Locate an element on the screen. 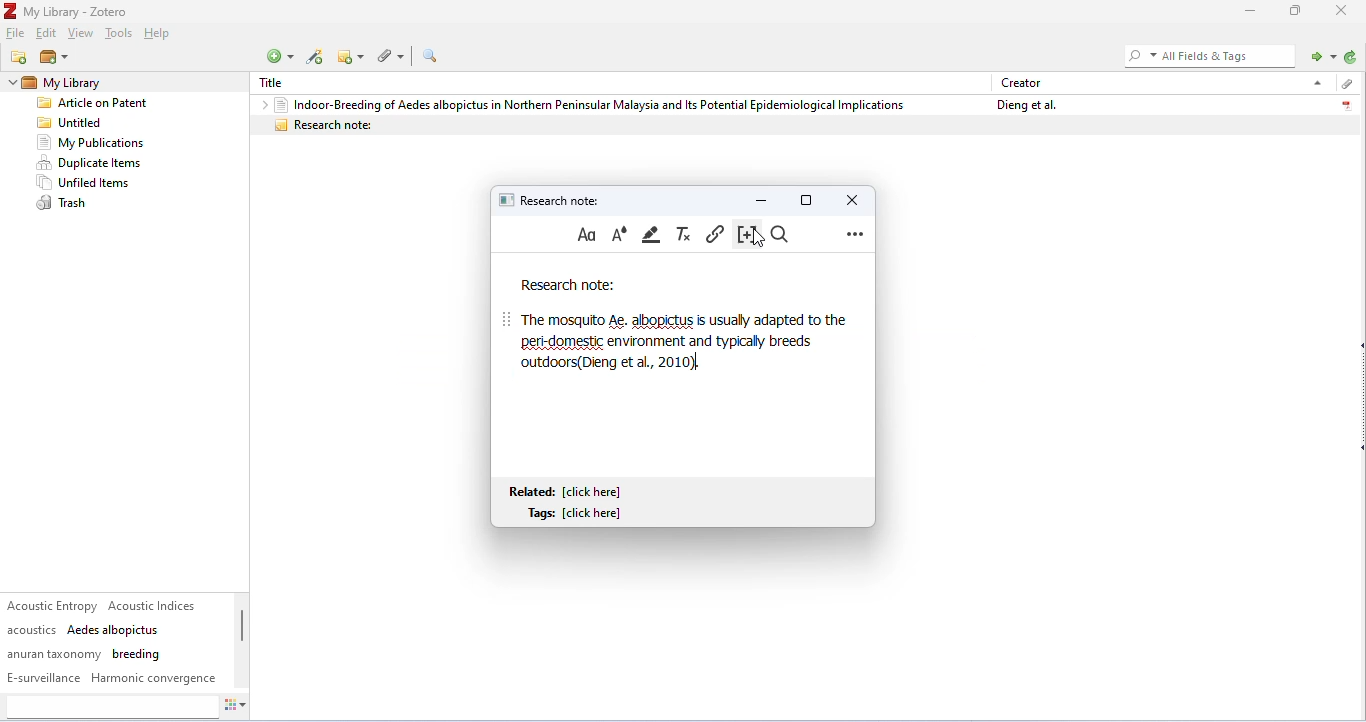 The width and height of the screenshot is (1366, 722). new collection is located at coordinates (20, 57).